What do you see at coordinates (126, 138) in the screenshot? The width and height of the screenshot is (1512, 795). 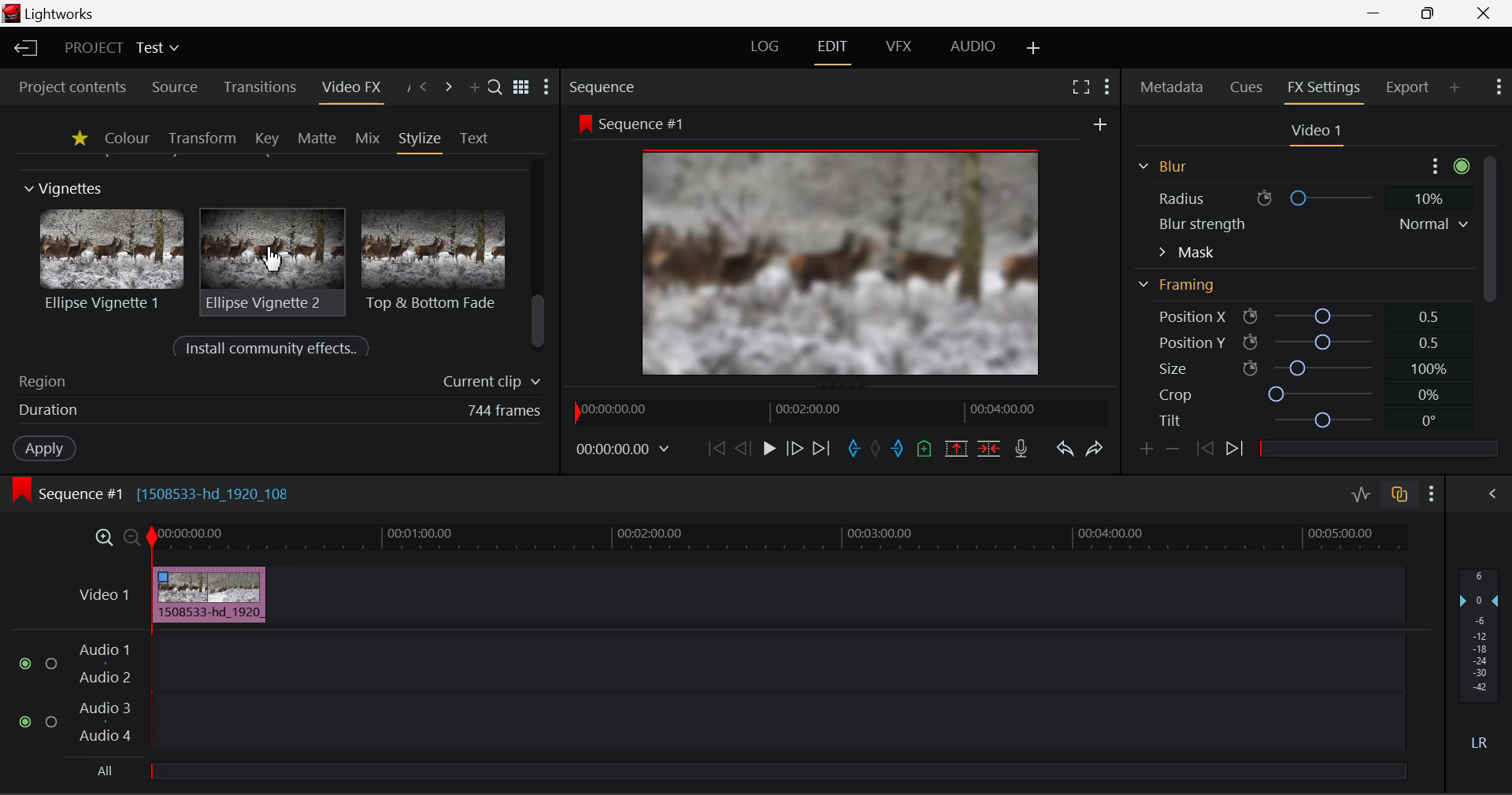 I see `Colour` at bounding box center [126, 138].